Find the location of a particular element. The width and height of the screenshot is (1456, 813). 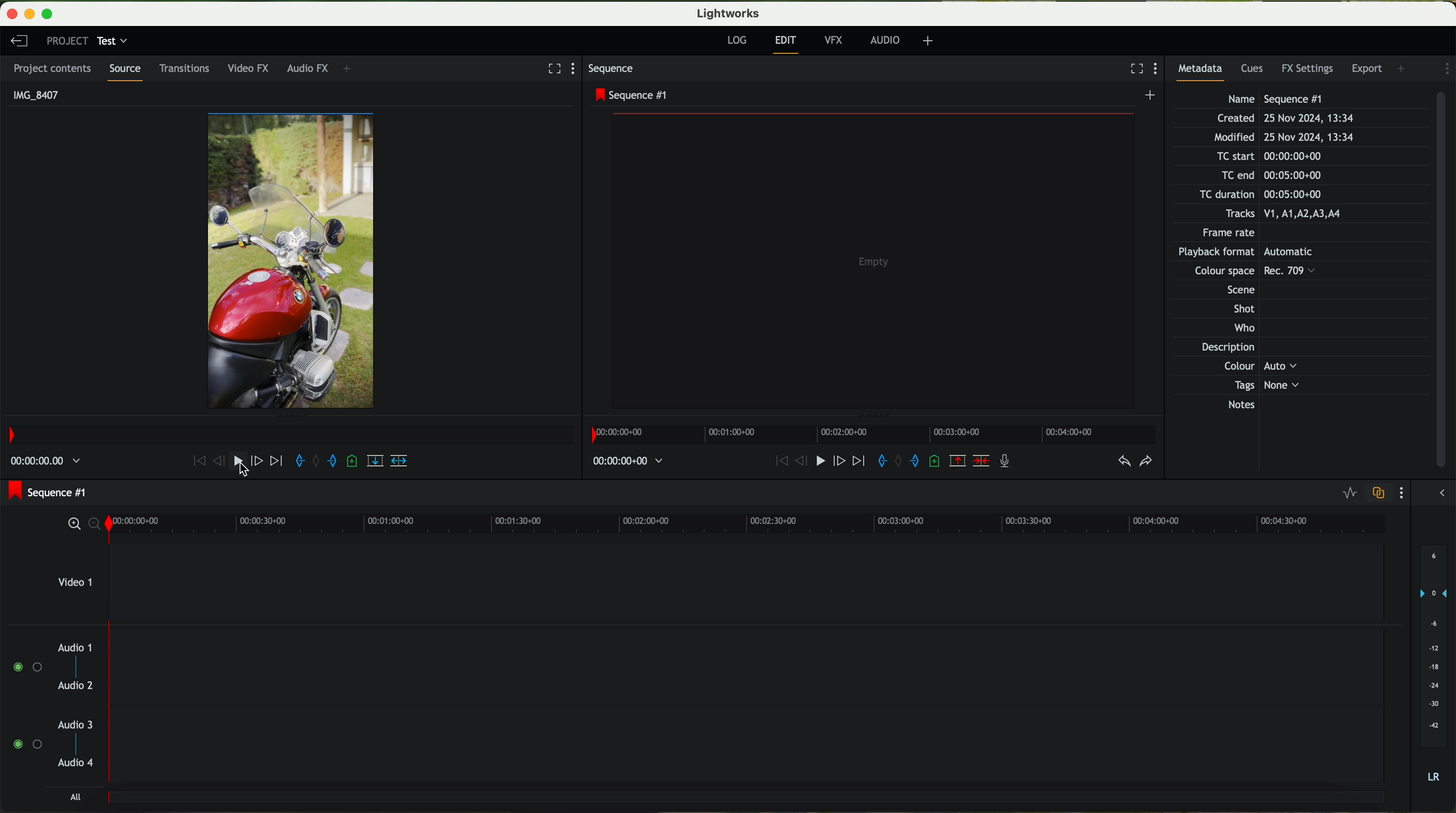

show settings menu is located at coordinates (1445, 68).